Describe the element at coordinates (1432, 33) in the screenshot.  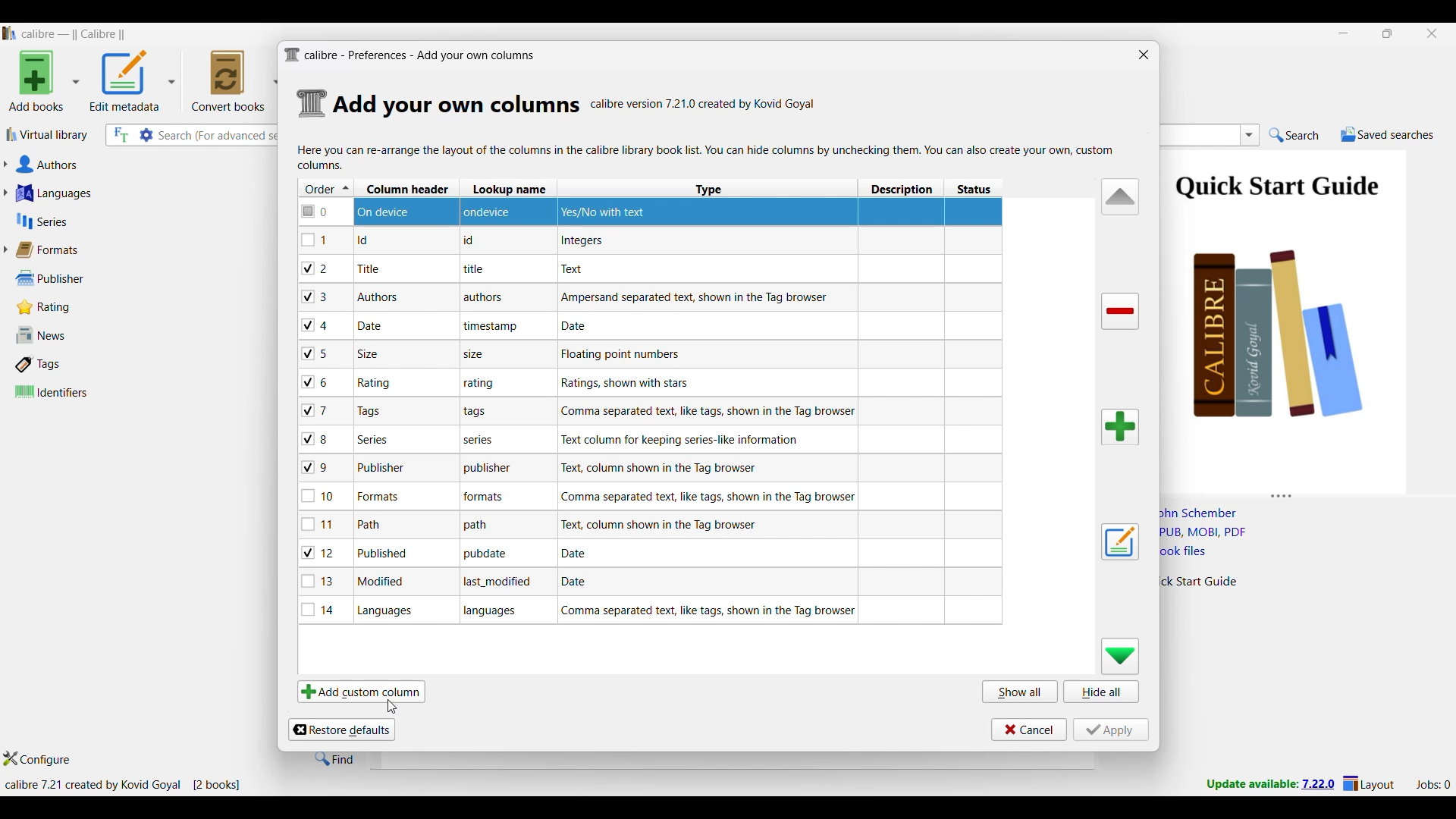
I see `Close interface` at that location.